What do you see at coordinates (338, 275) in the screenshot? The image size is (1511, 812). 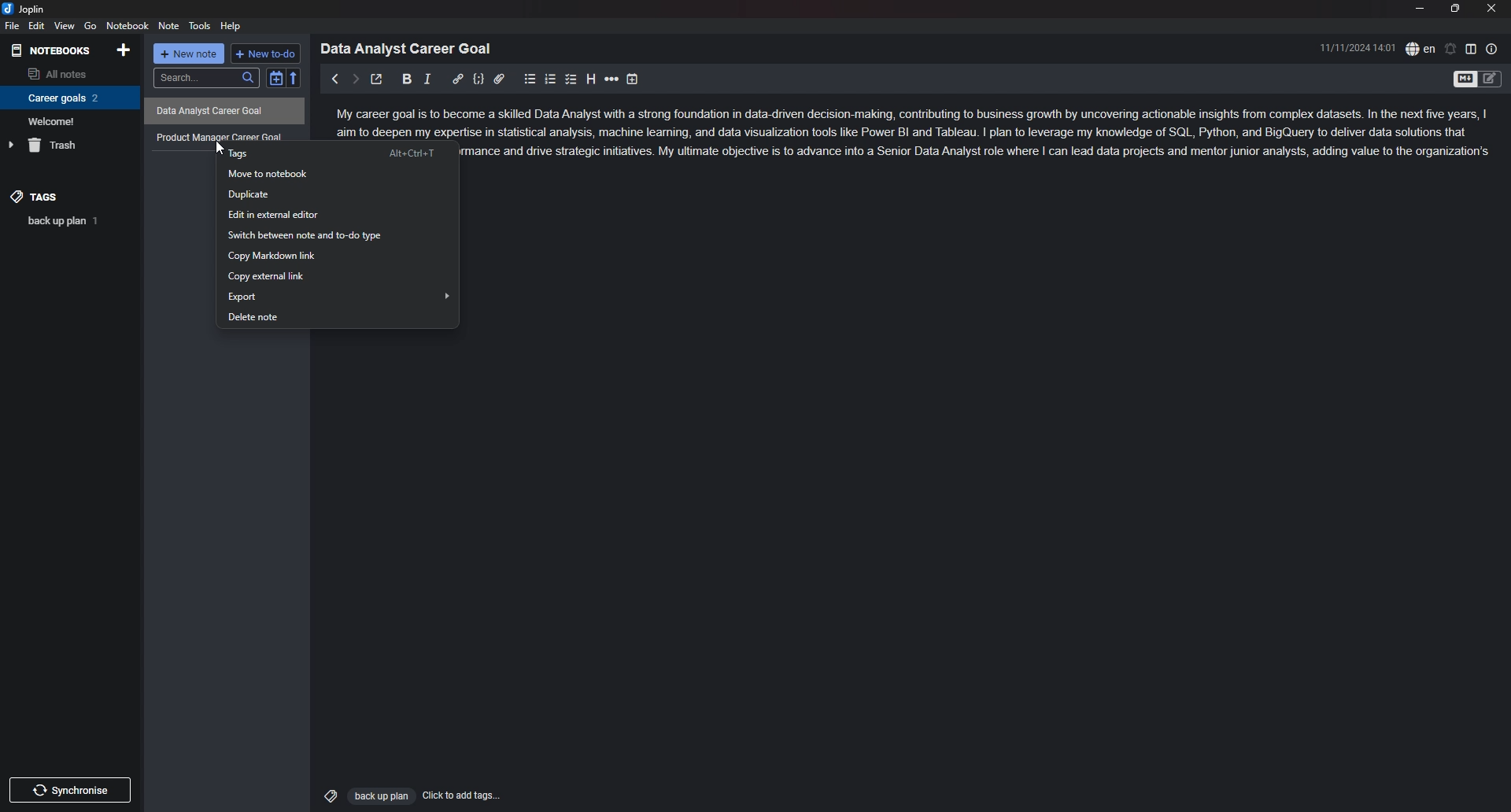 I see `copy external link` at bounding box center [338, 275].